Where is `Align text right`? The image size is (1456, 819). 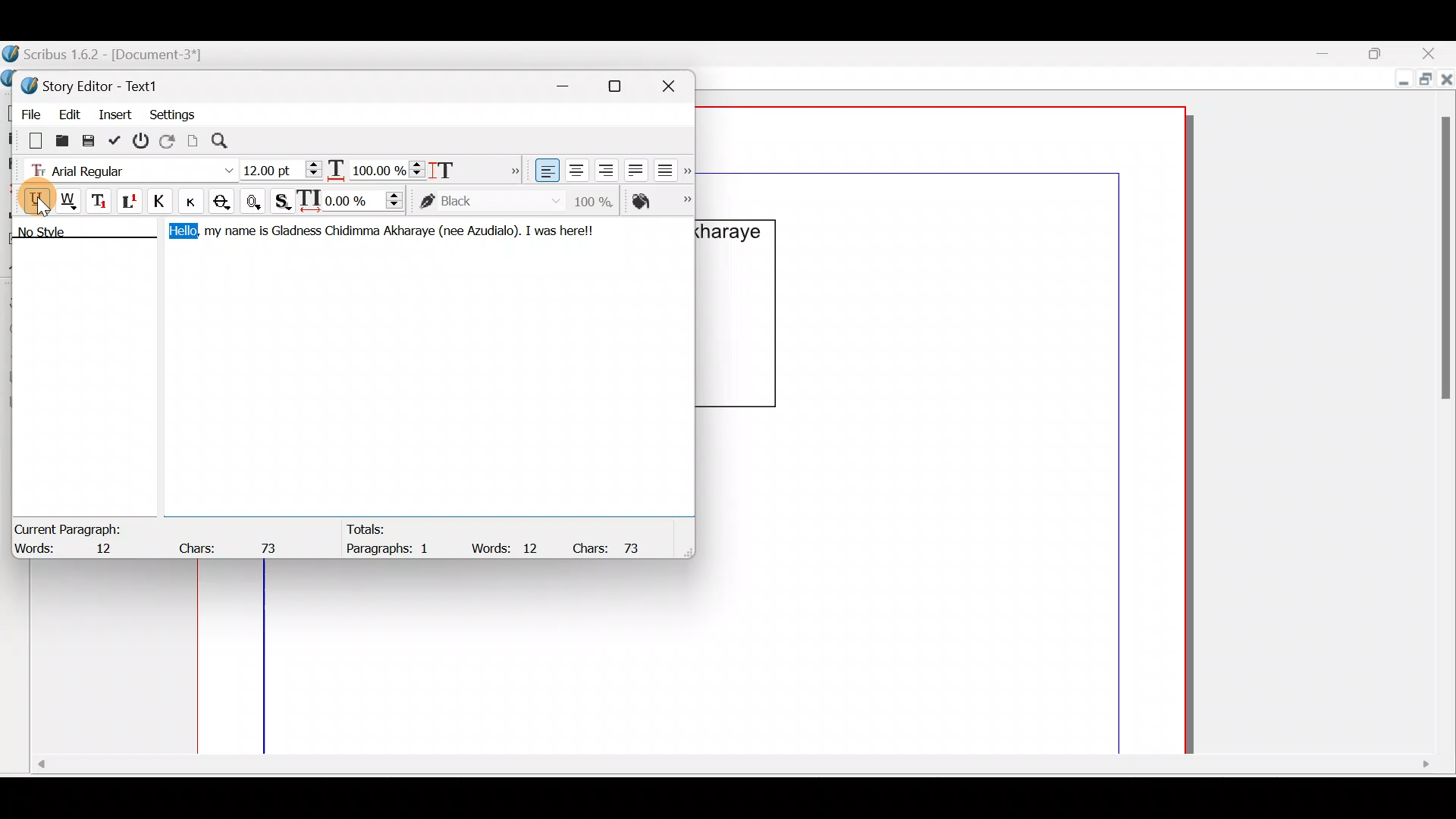
Align text right is located at coordinates (603, 171).